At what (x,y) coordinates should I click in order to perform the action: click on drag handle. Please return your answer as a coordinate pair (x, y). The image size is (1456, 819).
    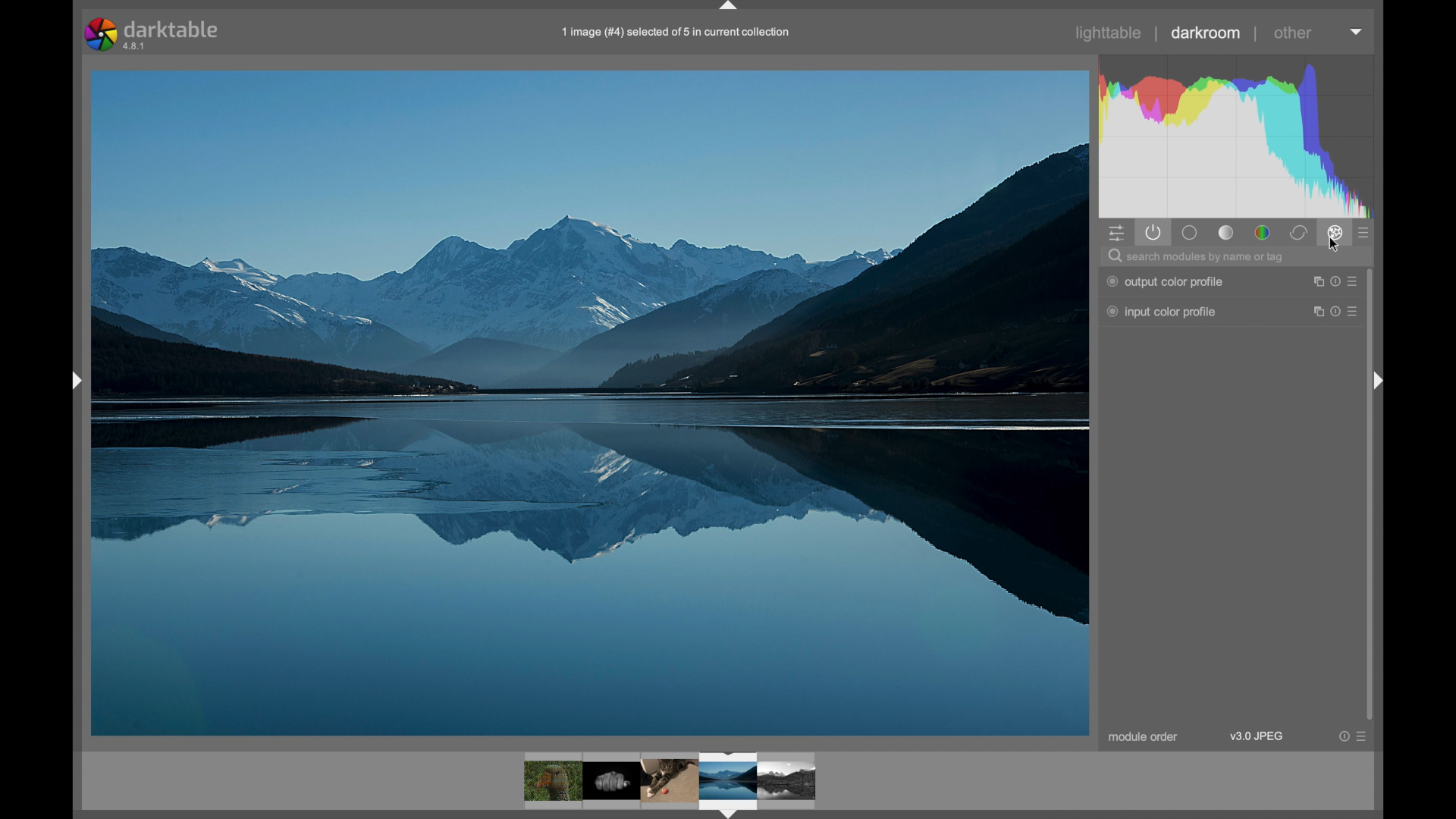
    Looking at the image, I should click on (74, 381).